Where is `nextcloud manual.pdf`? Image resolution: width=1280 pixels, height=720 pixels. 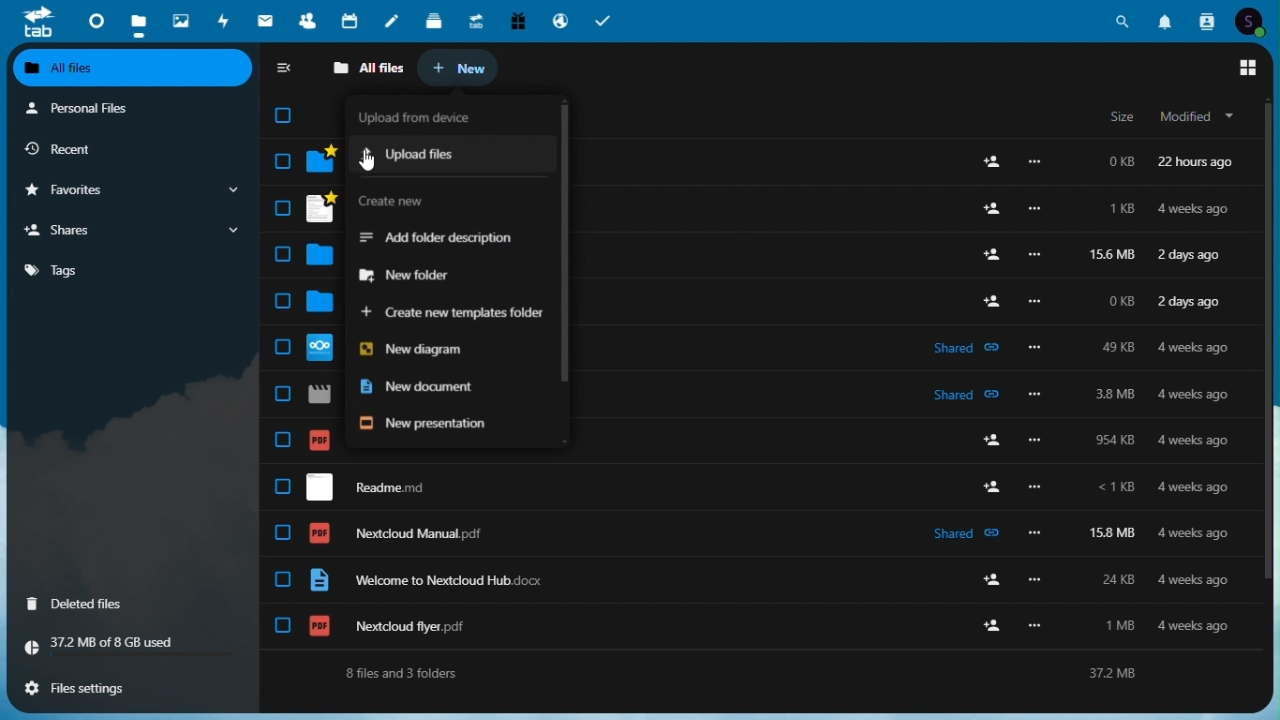 nextcloud manual.pdf is located at coordinates (404, 533).